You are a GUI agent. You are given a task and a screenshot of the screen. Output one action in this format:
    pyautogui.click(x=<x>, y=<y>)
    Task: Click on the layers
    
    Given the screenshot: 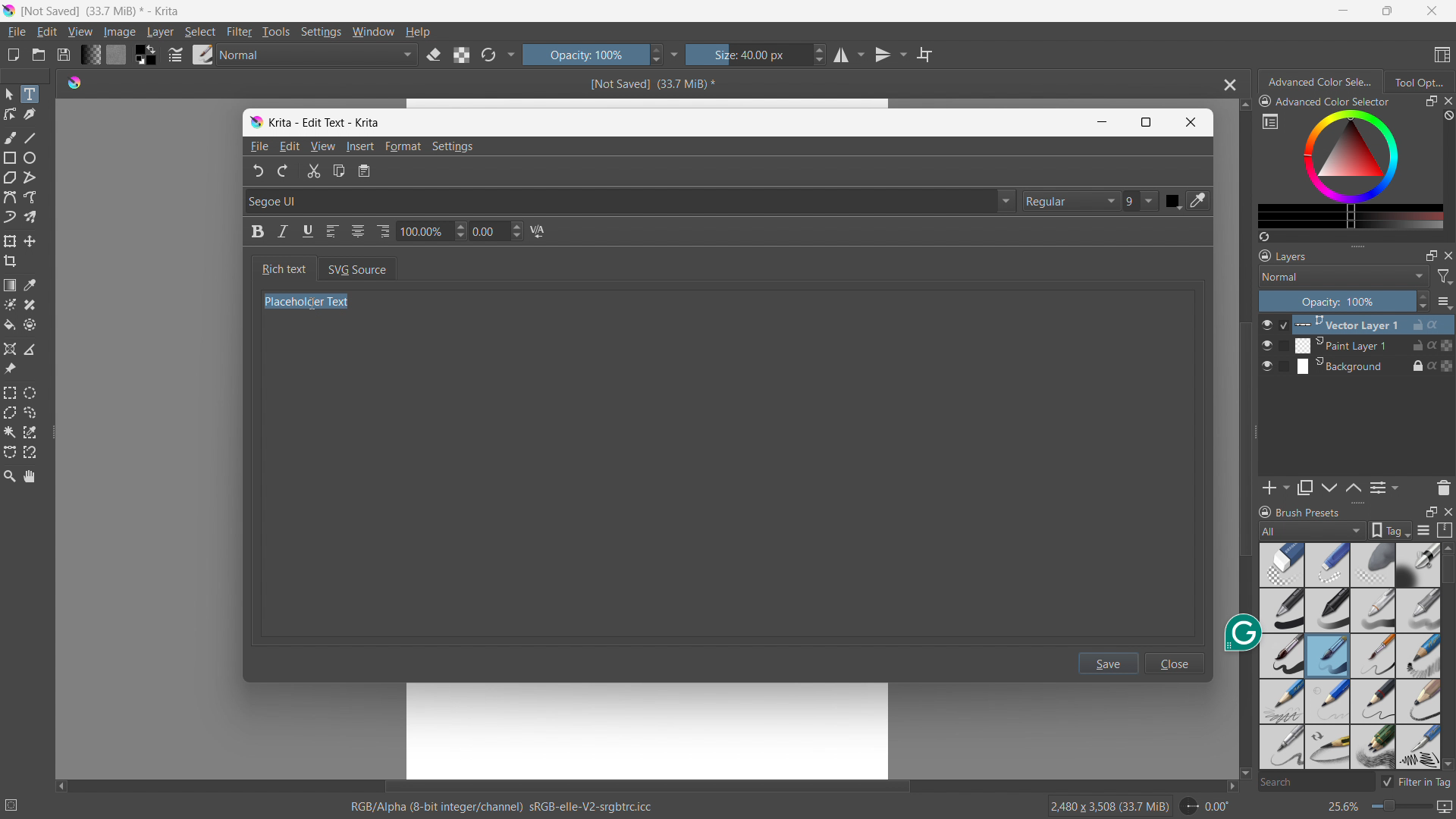 What is the action you would take?
    pyautogui.click(x=1283, y=255)
    